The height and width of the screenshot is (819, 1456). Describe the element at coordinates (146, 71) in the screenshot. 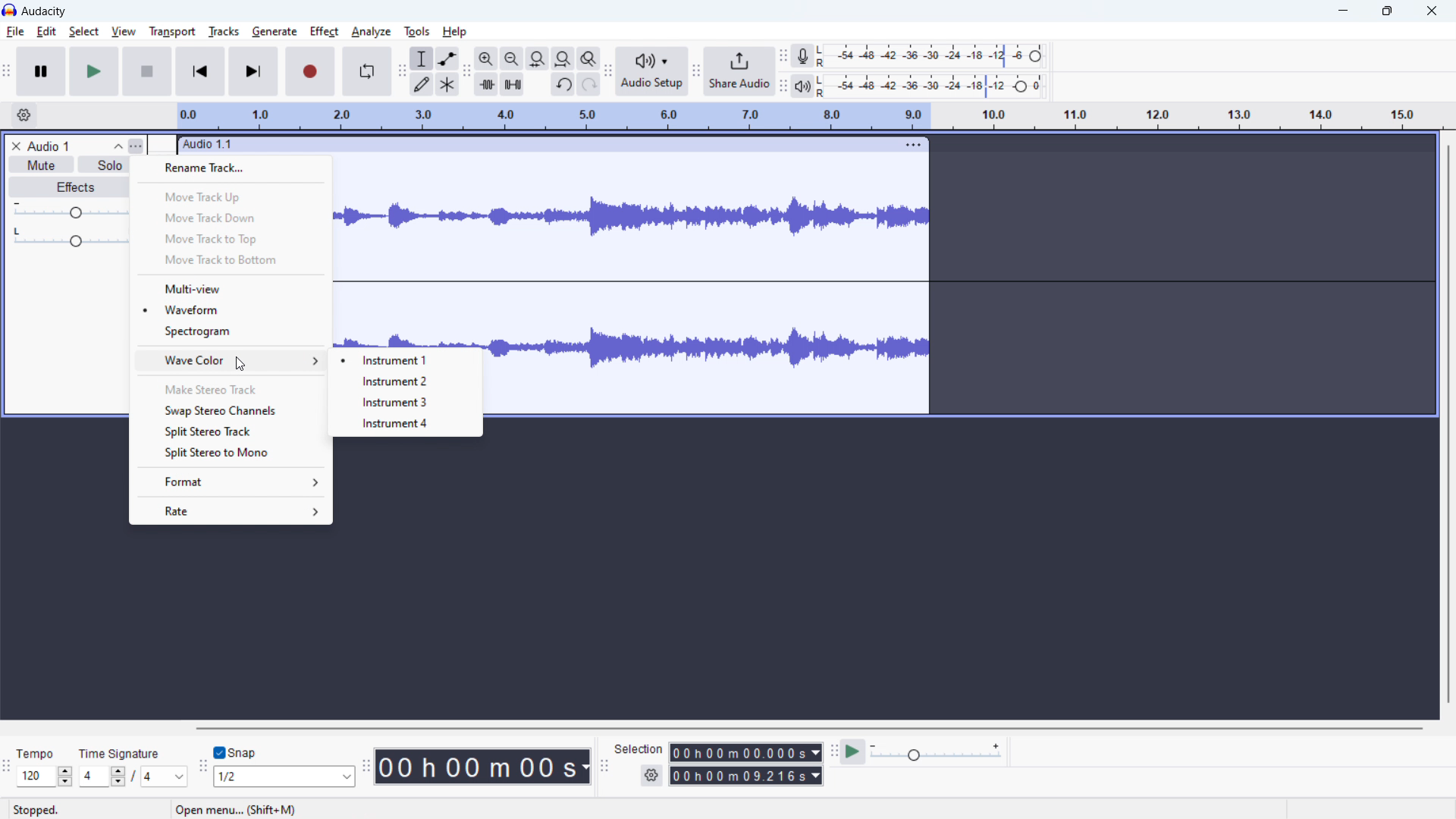

I see `stop` at that location.